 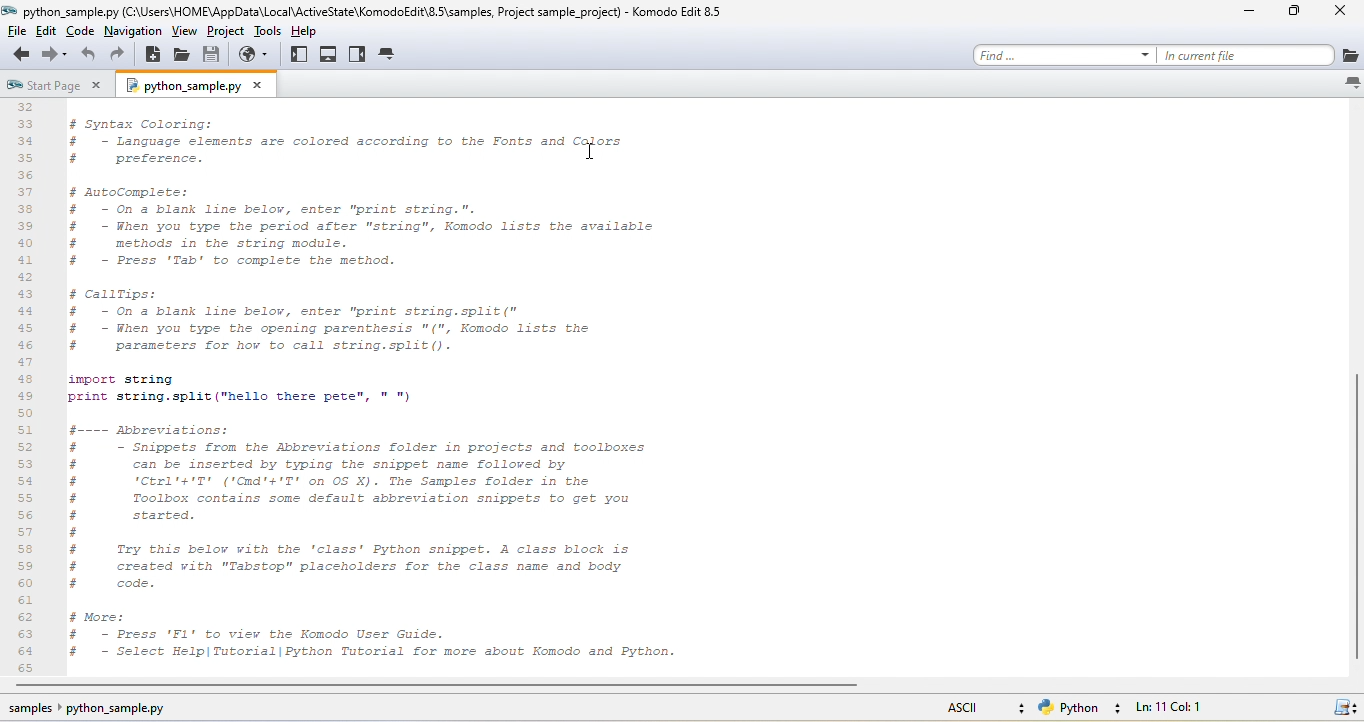 What do you see at coordinates (184, 56) in the screenshot?
I see `open` at bounding box center [184, 56].